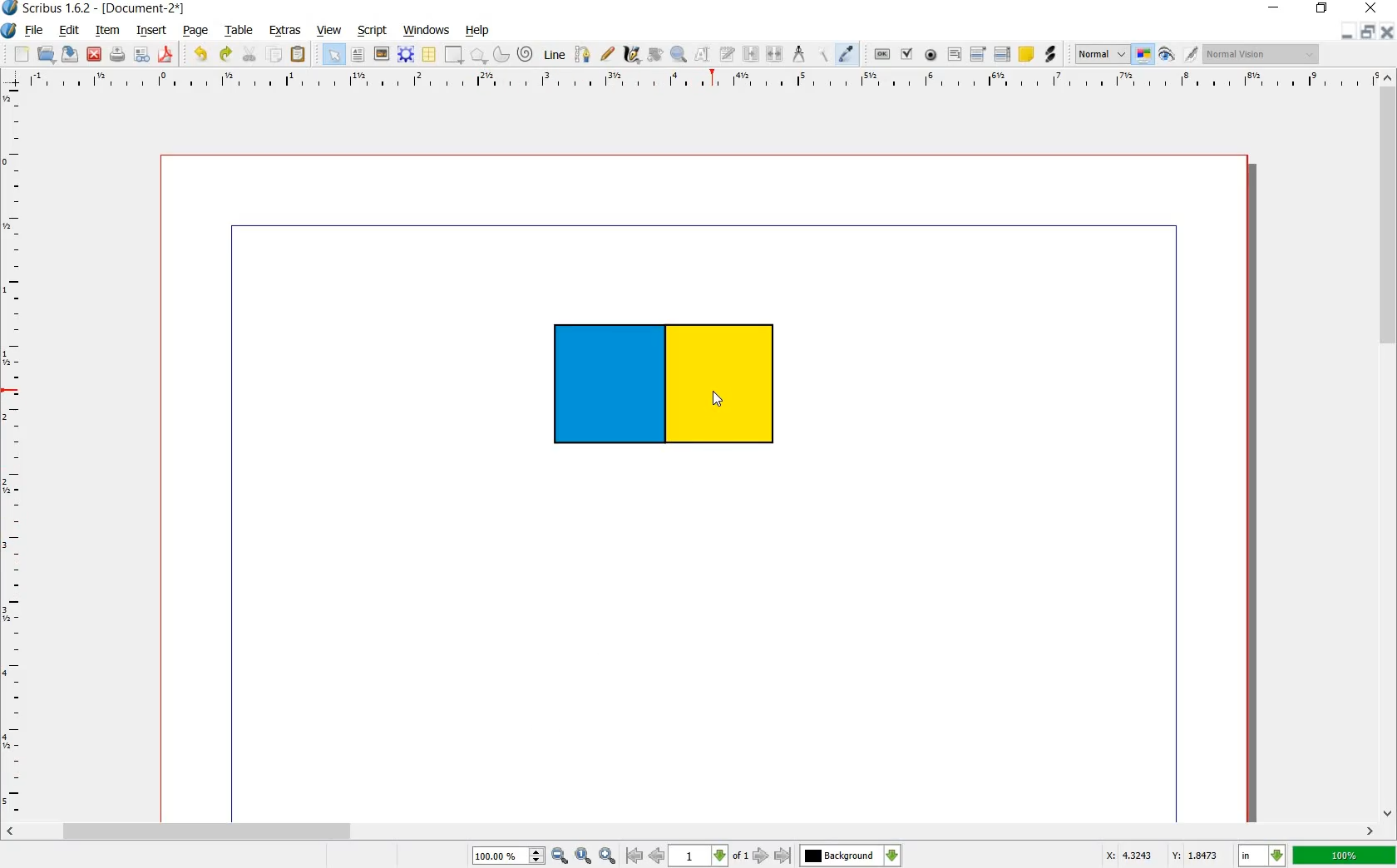 This screenshot has height=868, width=1397. I want to click on help, so click(475, 31).